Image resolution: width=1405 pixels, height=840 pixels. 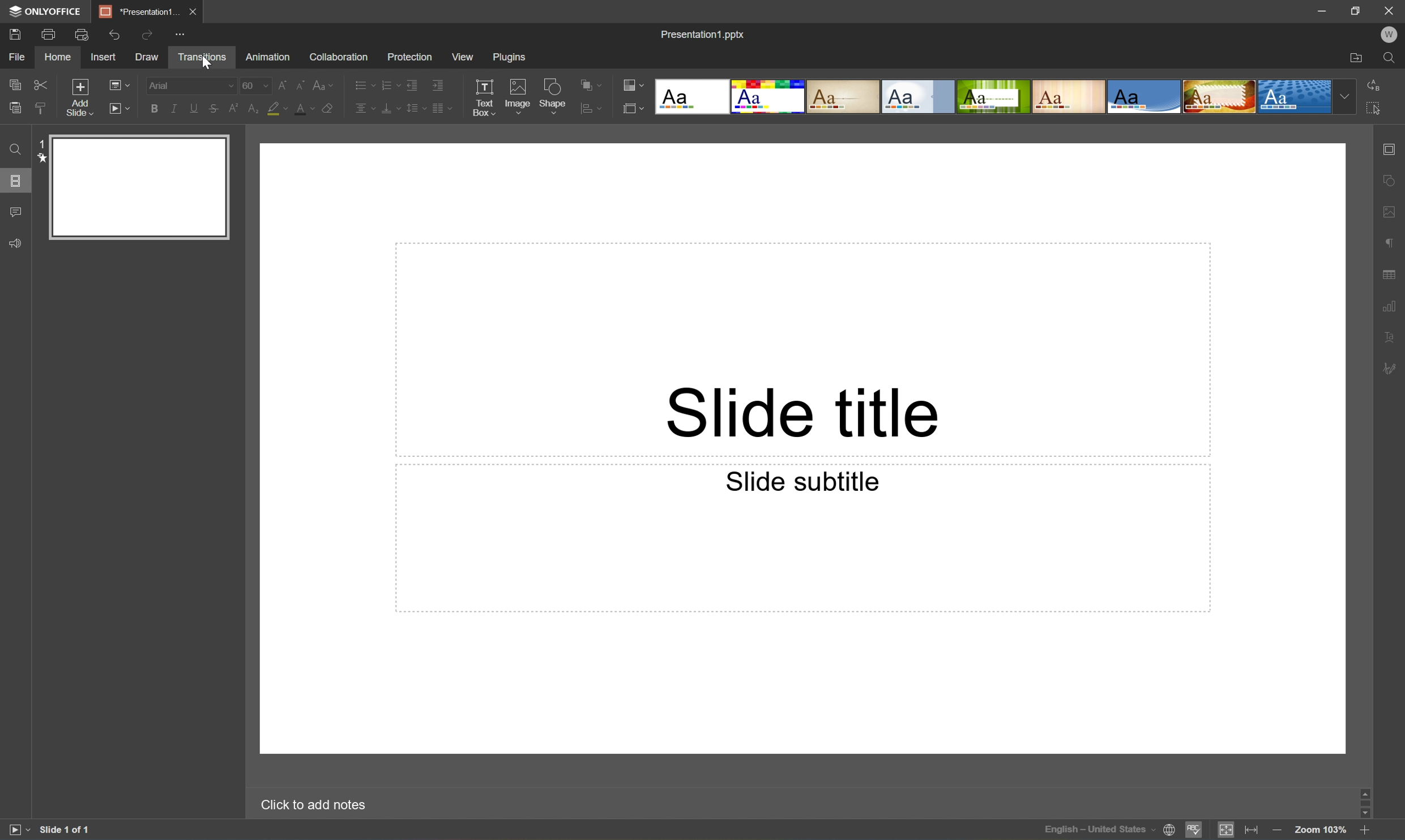 I want to click on Change color theme, so click(x=634, y=83).